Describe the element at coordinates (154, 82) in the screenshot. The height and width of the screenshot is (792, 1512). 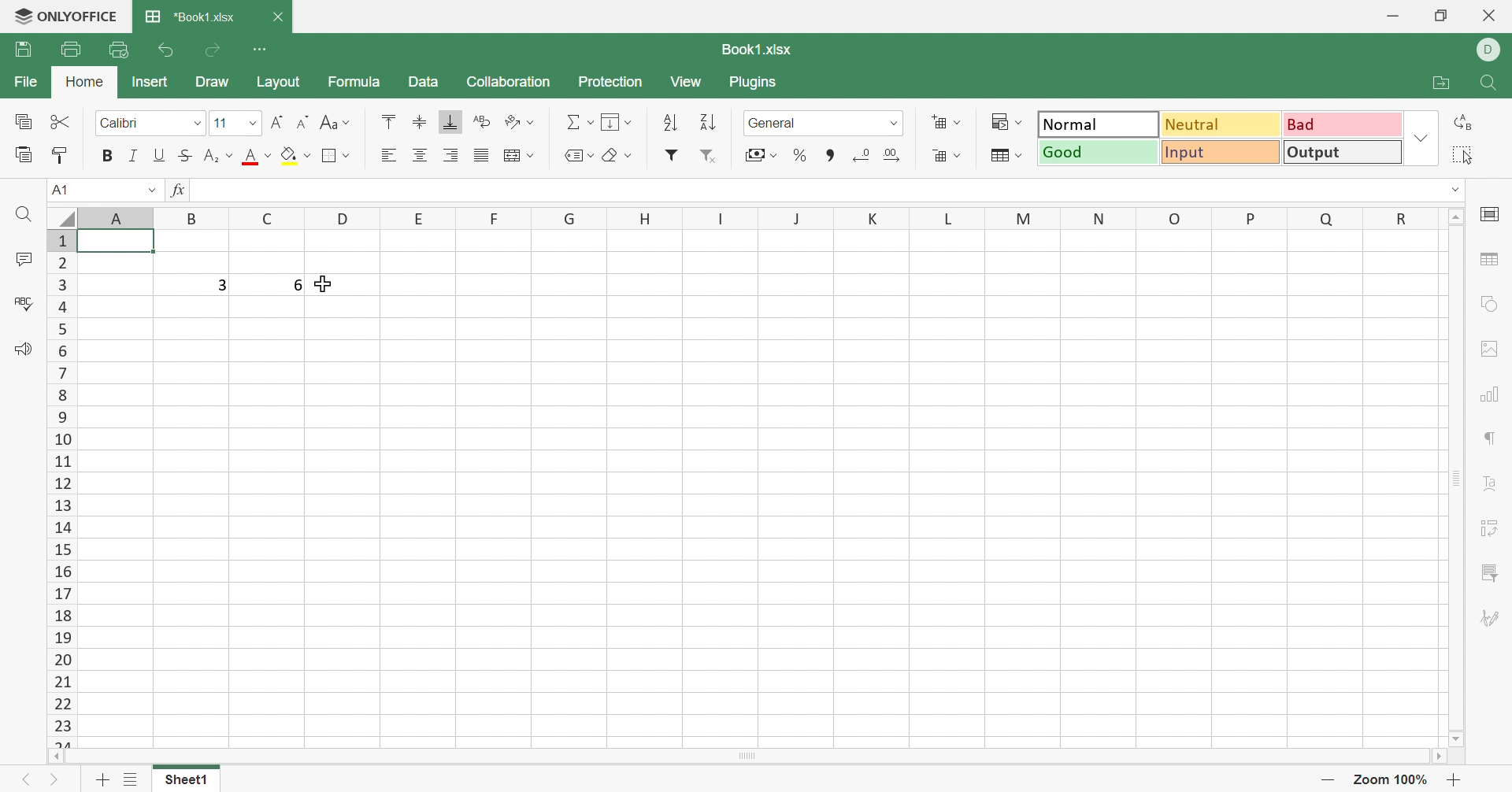
I see `Insert` at that location.